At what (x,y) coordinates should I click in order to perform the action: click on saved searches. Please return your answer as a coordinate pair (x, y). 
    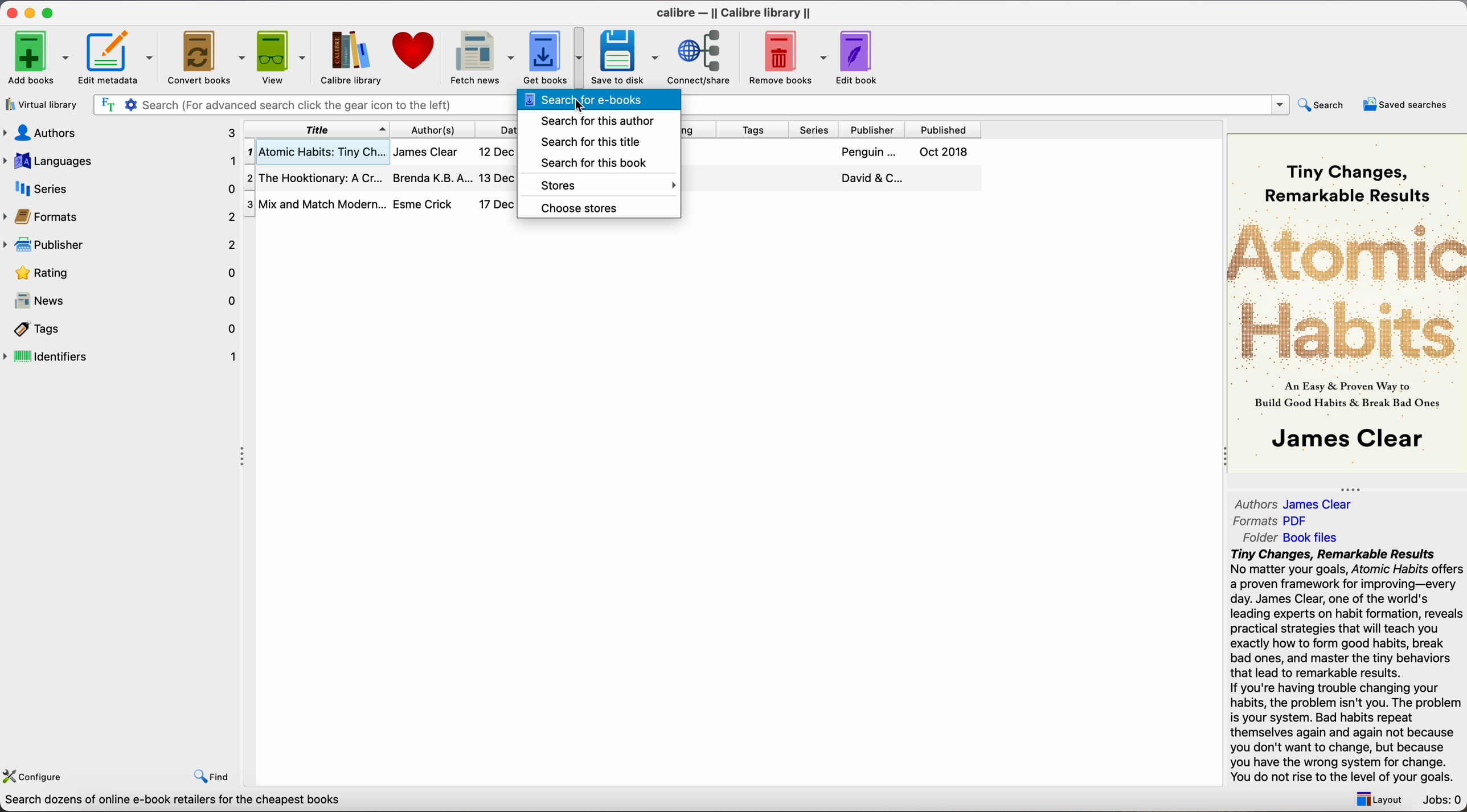
    Looking at the image, I should click on (1405, 104).